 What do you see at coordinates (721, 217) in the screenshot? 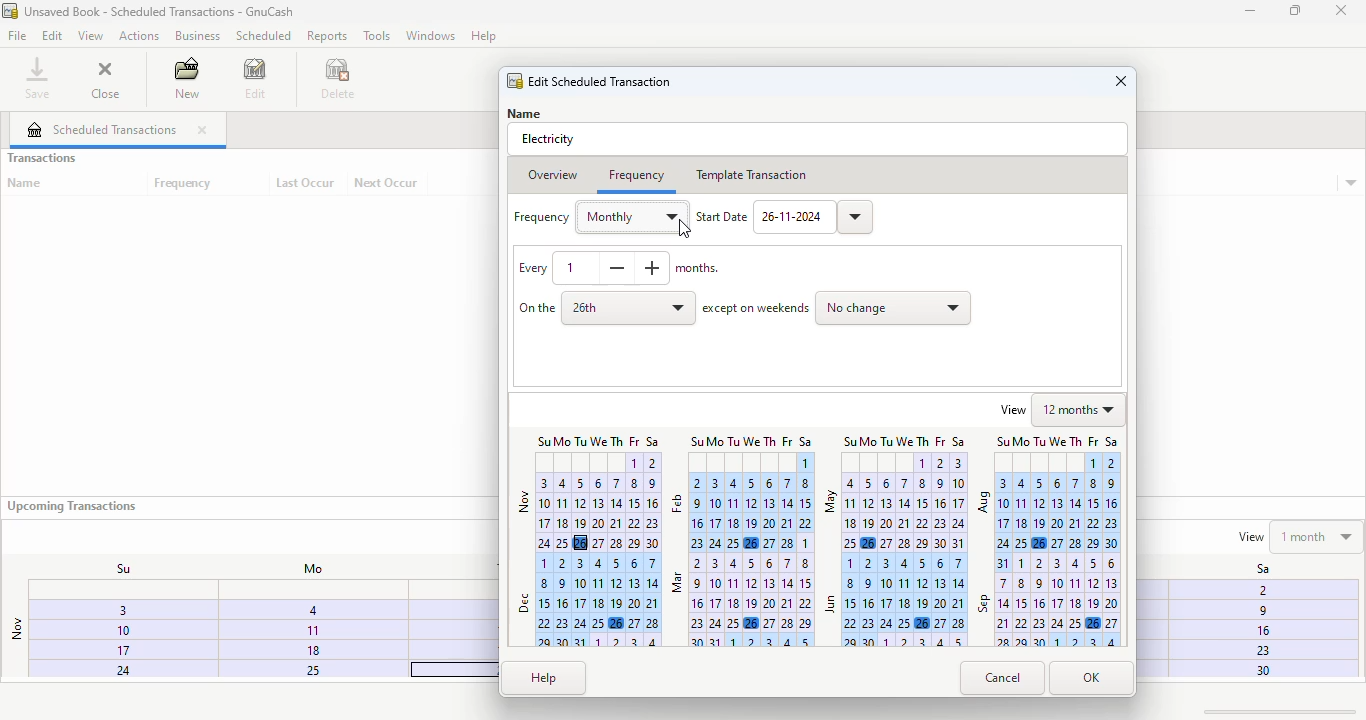
I see `Start Date` at bounding box center [721, 217].